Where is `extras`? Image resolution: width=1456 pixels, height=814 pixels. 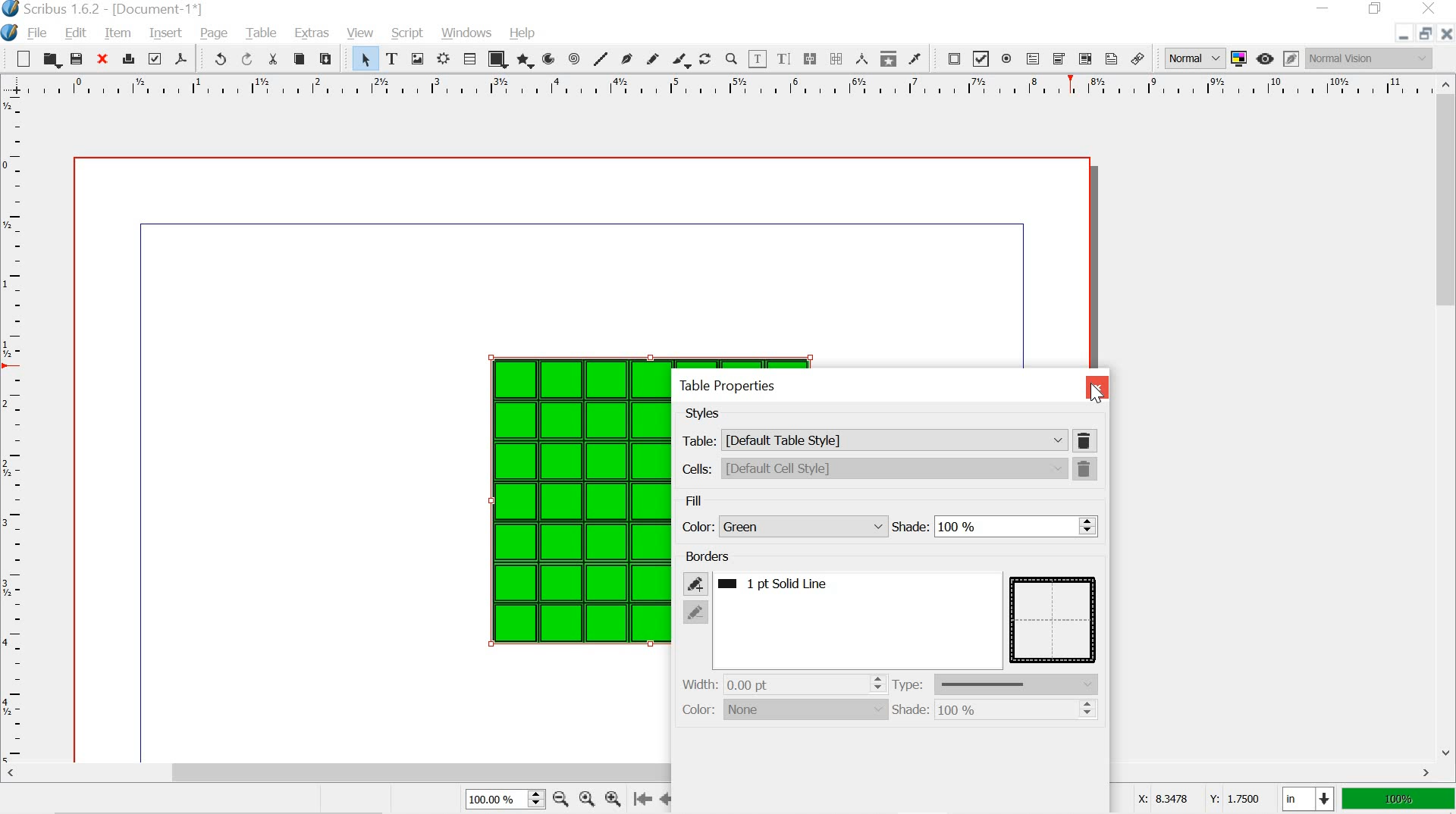 extras is located at coordinates (309, 35).